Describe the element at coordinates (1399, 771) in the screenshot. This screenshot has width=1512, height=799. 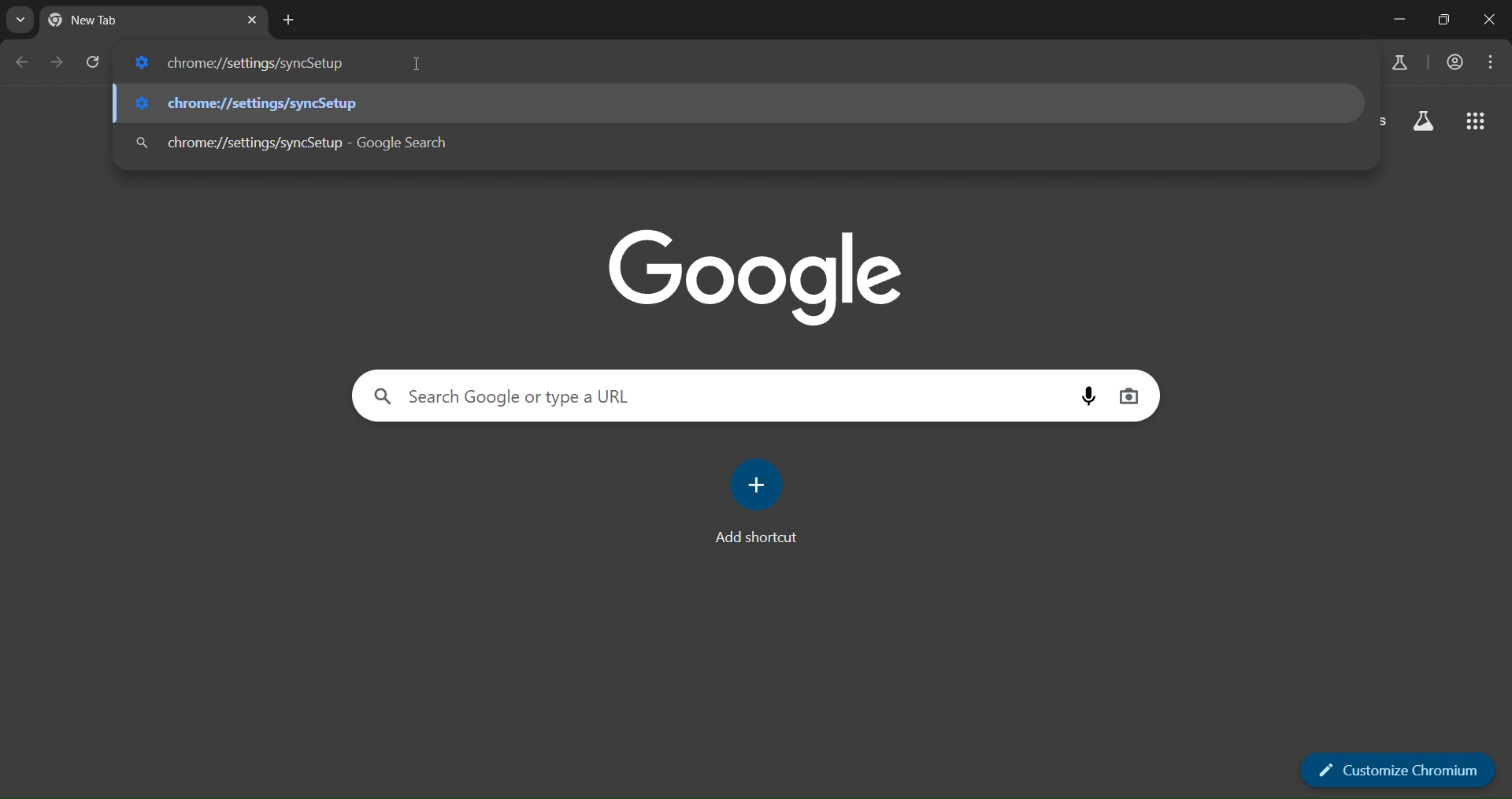
I see `customize chromium` at that location.